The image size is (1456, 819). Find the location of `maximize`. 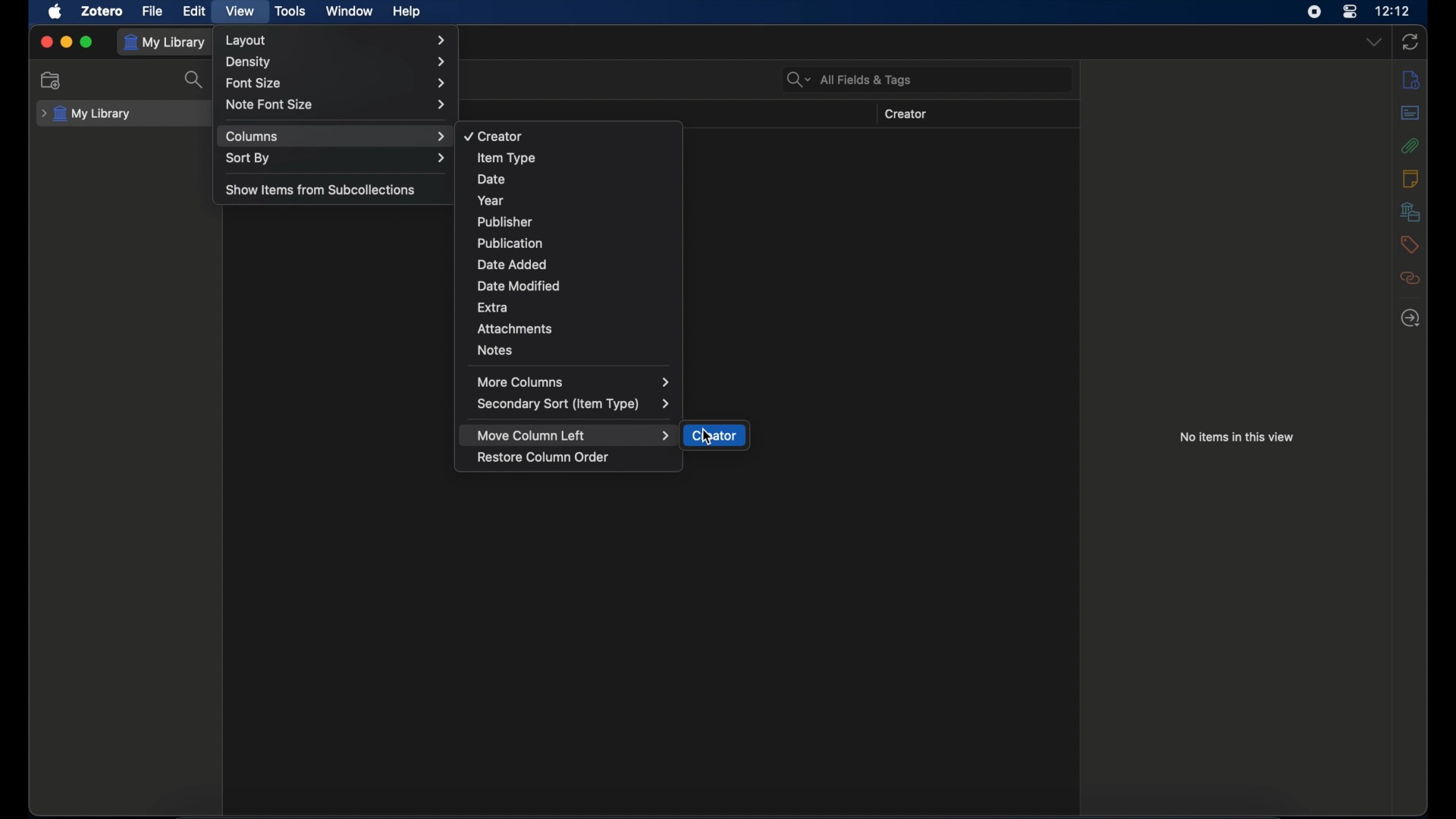

maximize is located at coordinates (86, 42).